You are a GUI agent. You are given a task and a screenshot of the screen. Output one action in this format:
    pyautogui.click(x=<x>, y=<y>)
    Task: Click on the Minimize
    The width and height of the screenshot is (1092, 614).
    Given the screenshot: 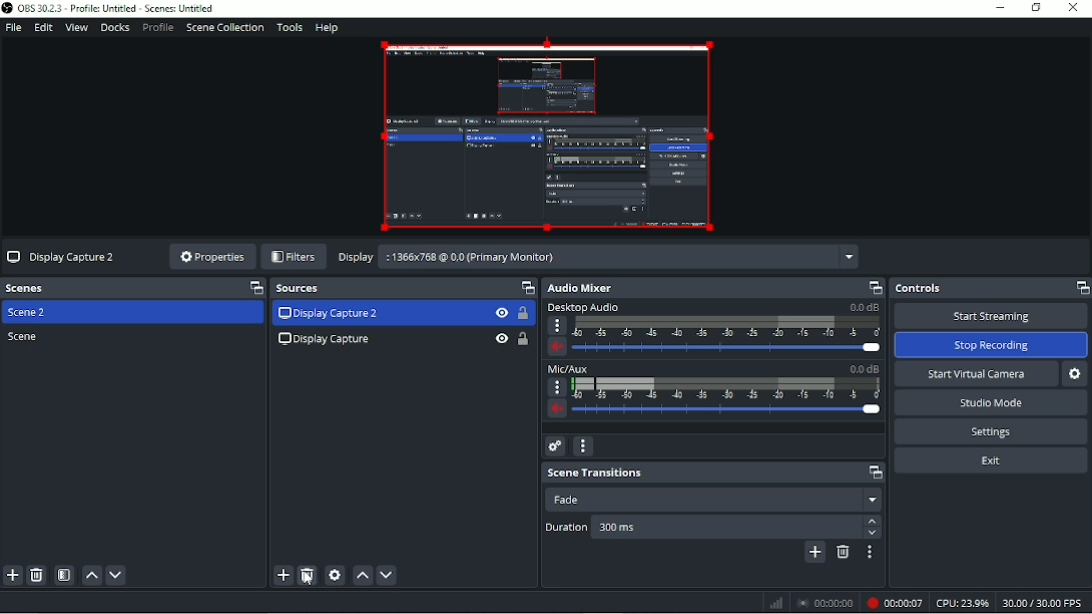 What is the action you would take?
    pyautogui.click(x=999, y=8)
    